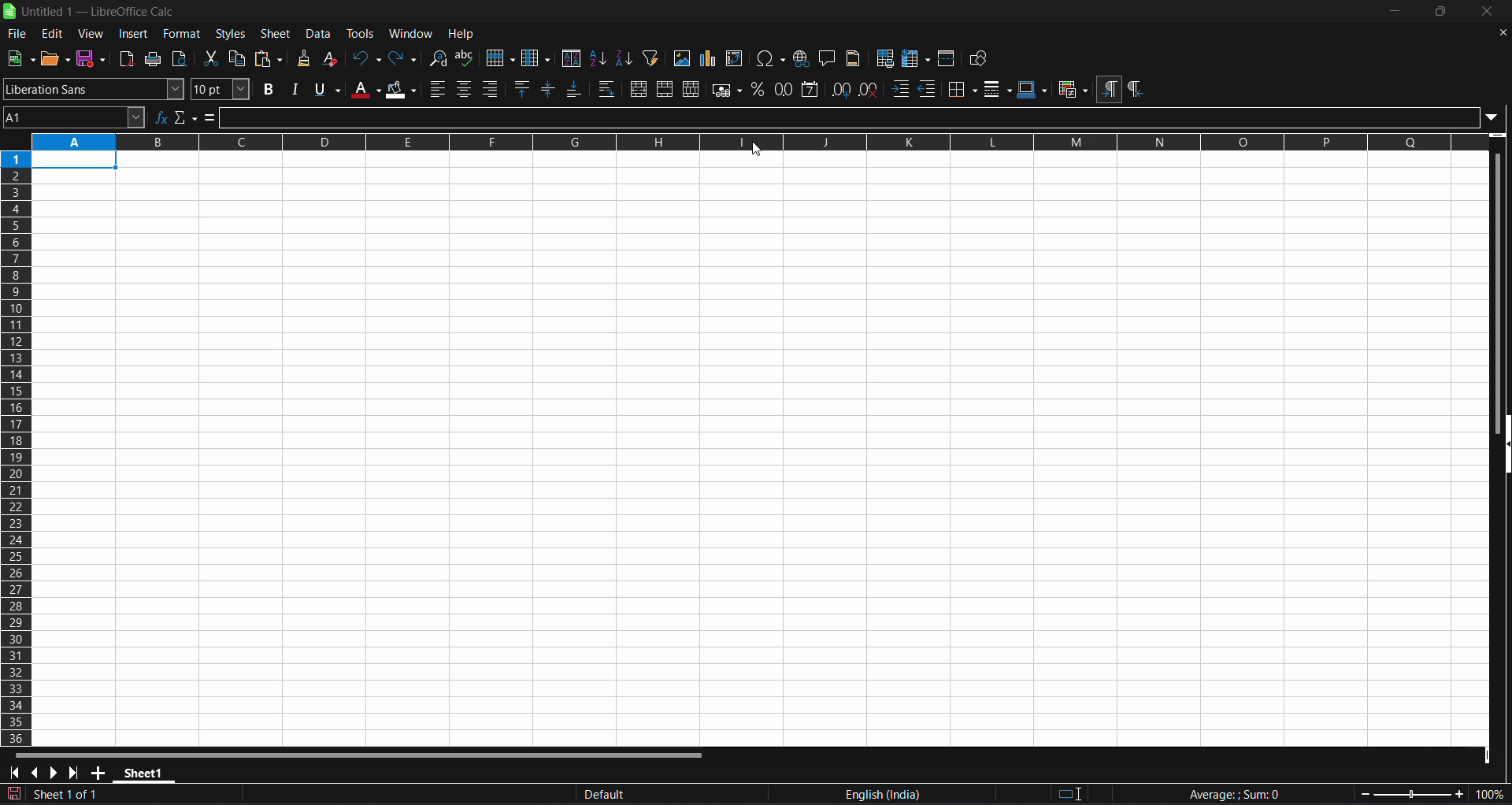  Describe the element at coordinates (762, 90) in the screenshot. I see `format as percen` at that location.